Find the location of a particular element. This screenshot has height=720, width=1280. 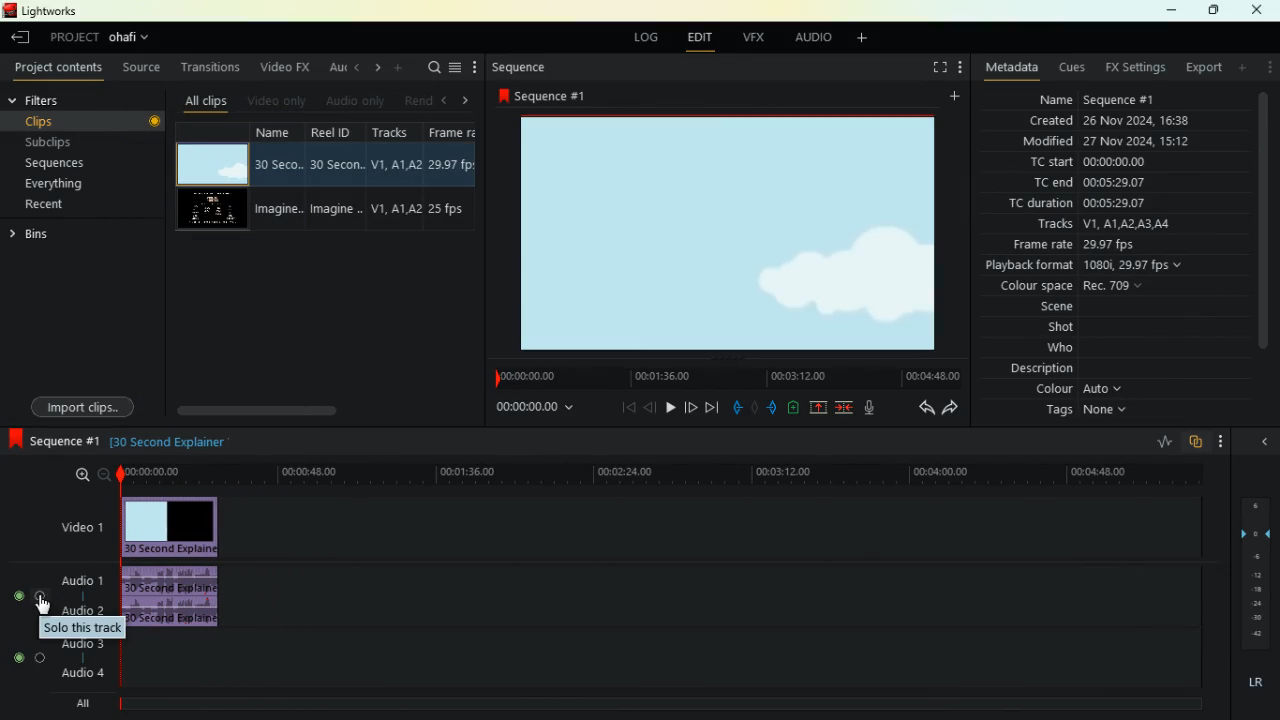

push is located at coordinates (771, 409).